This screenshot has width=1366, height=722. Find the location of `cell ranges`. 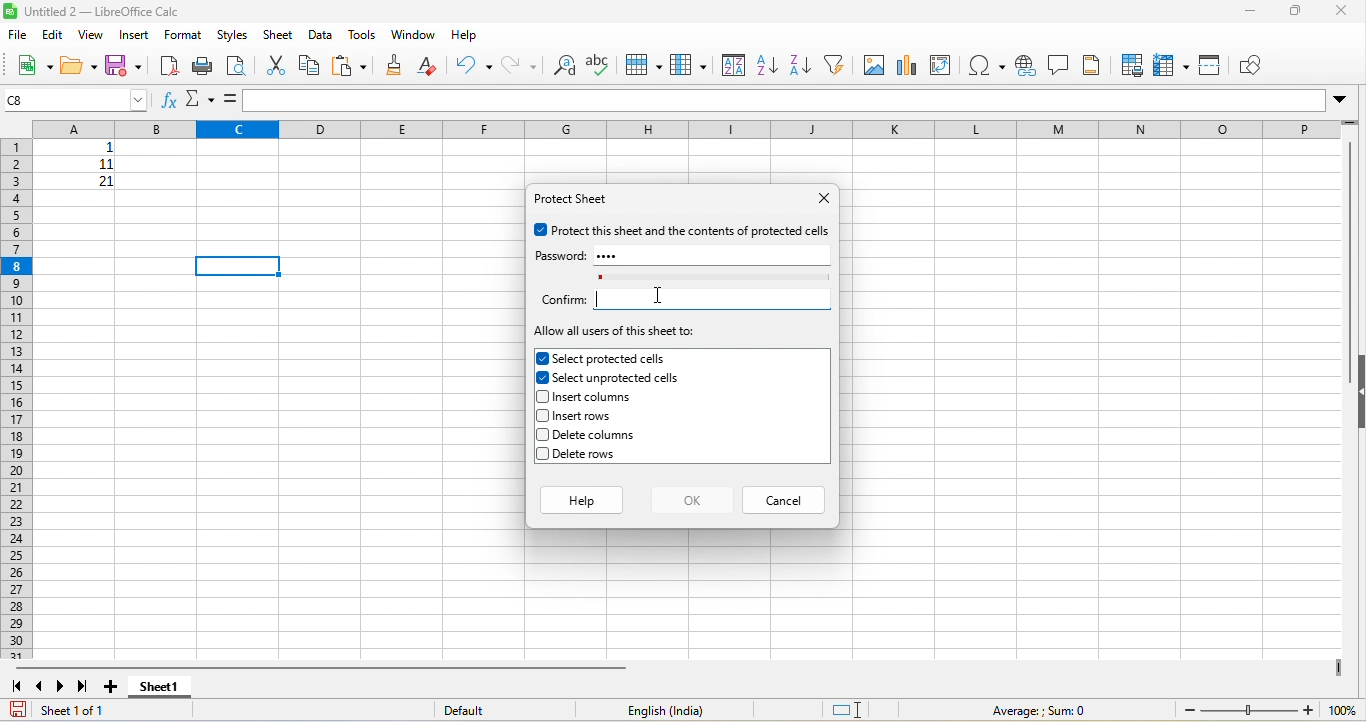

cell ranges is located at coordinates (83, 174).